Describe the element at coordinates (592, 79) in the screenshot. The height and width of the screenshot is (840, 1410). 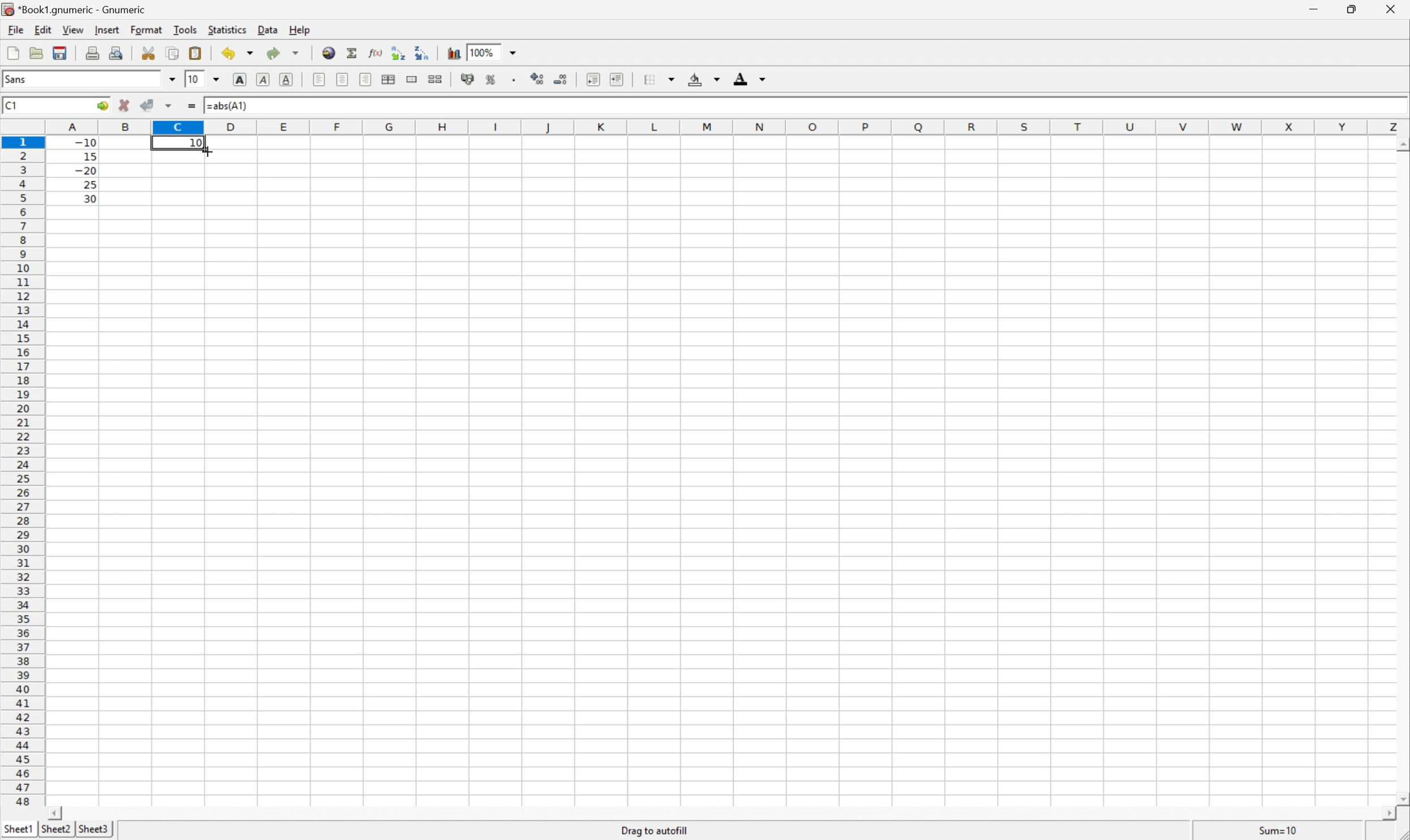
I see `decrease Indent, and align the content to the left` at that location.